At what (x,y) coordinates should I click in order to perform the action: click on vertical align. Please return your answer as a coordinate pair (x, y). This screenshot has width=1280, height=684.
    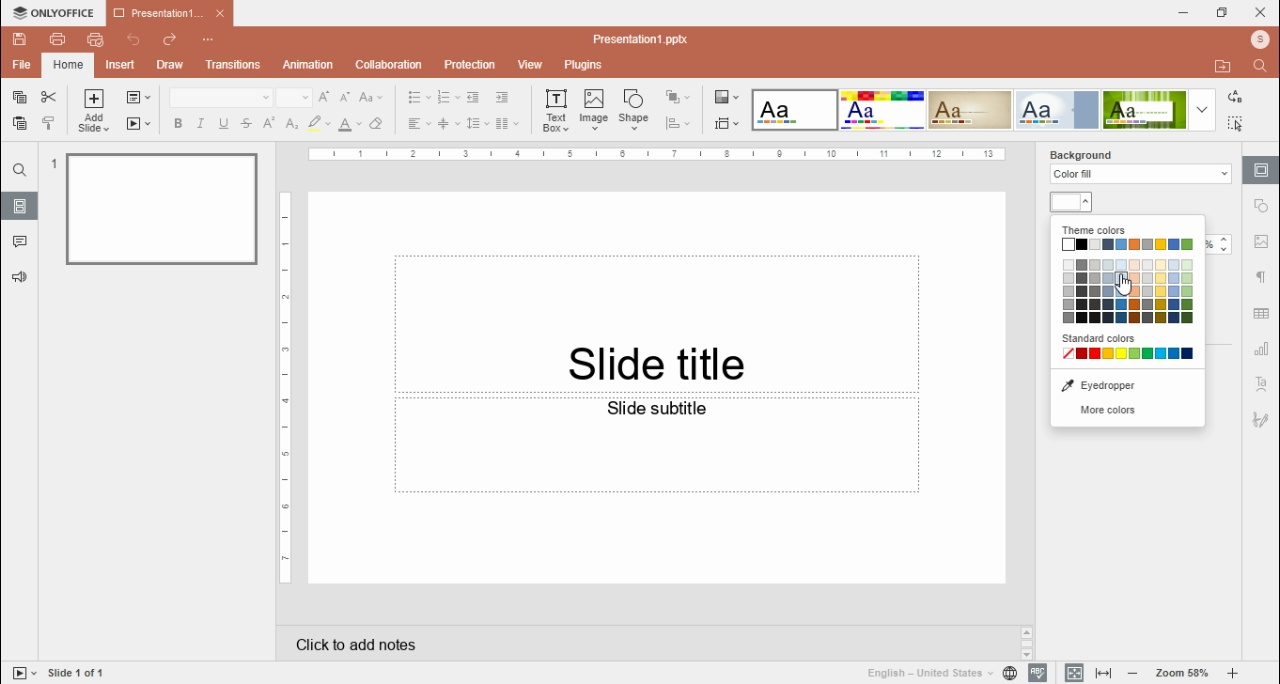
    Looking at the image, I should click on (448, 124).